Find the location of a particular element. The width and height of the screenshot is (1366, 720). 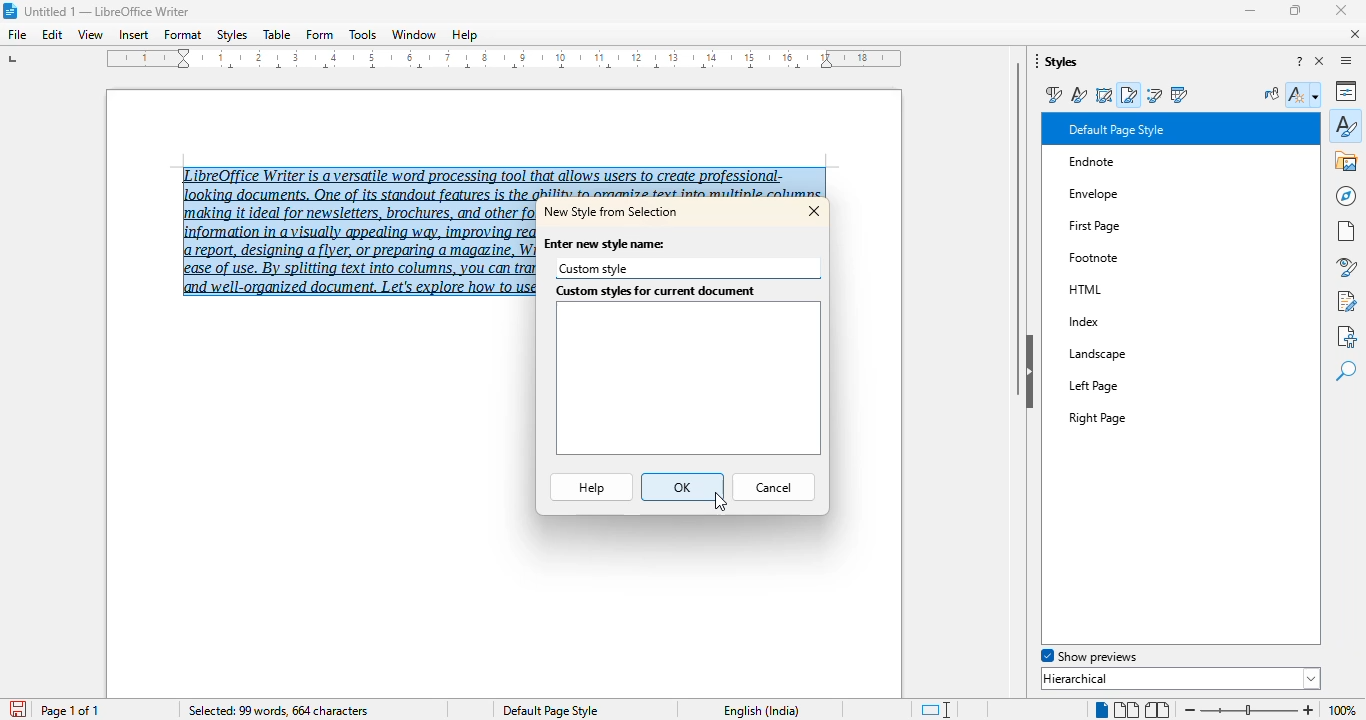

selected: 99 words, 664 characters is located at coordinates (277, 711).